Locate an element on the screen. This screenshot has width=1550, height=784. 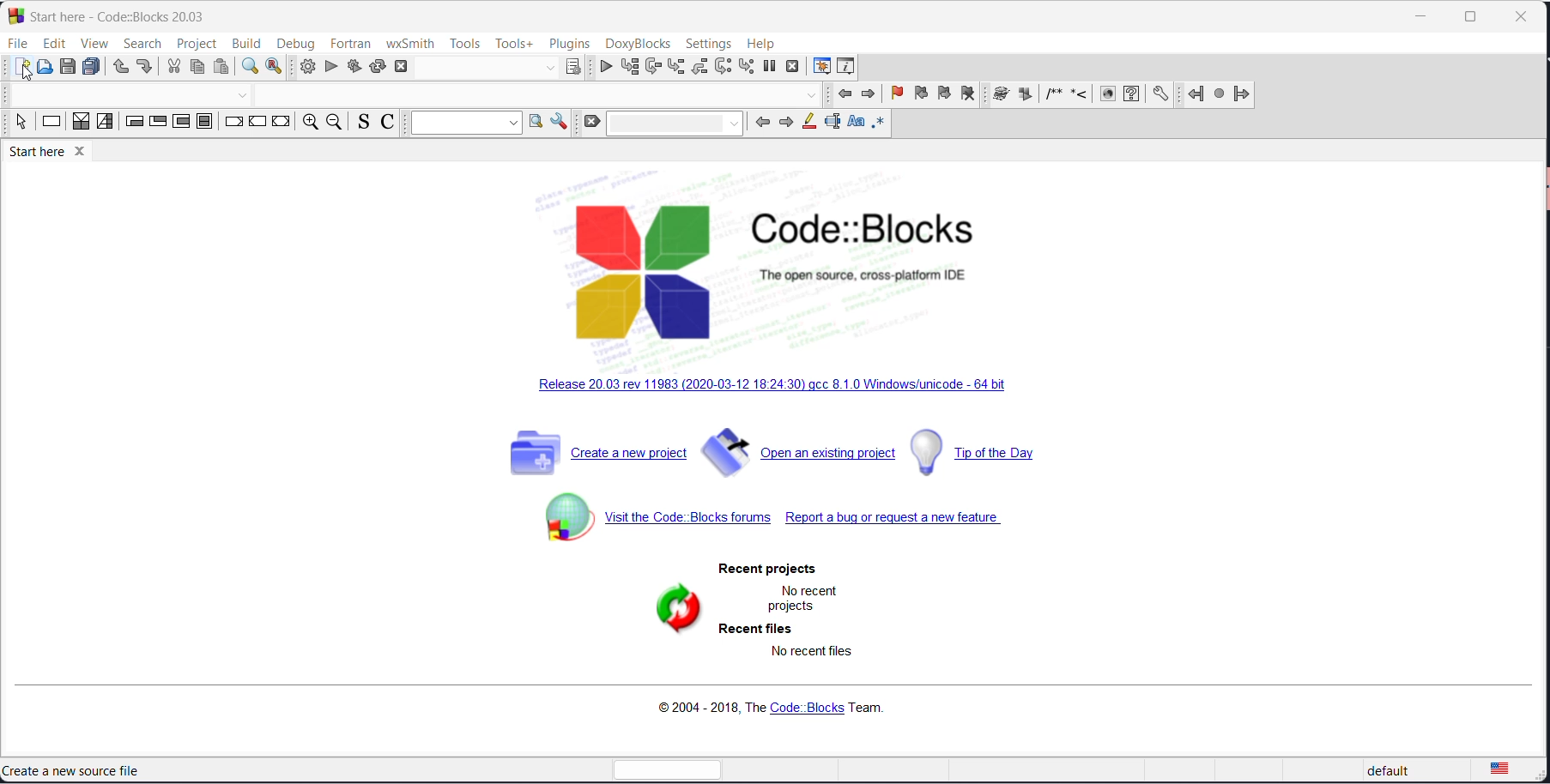
return instruction is located at coordinates (282, 124).